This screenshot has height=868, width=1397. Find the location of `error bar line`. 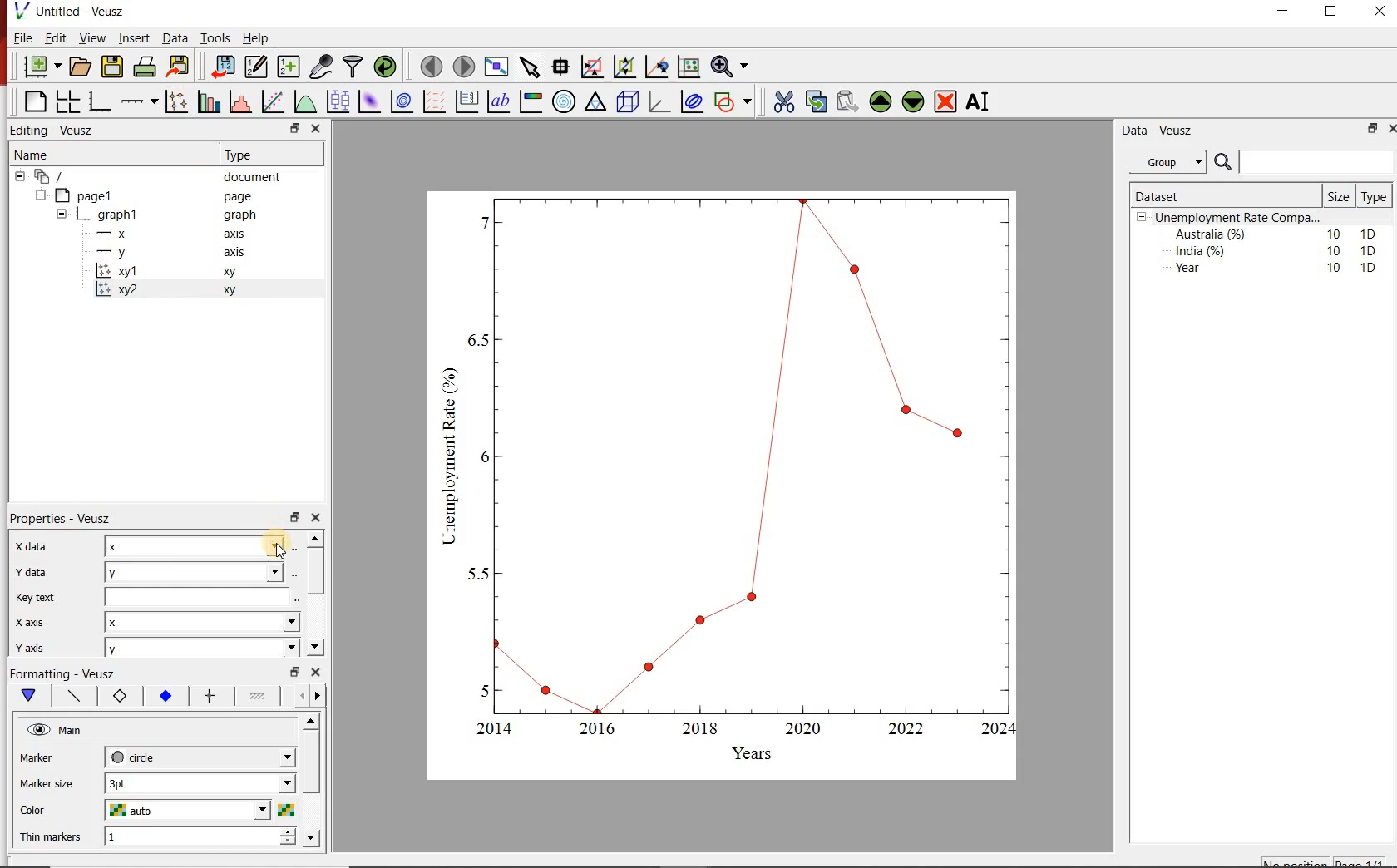

error bar line is located at coordinates (211, 696).